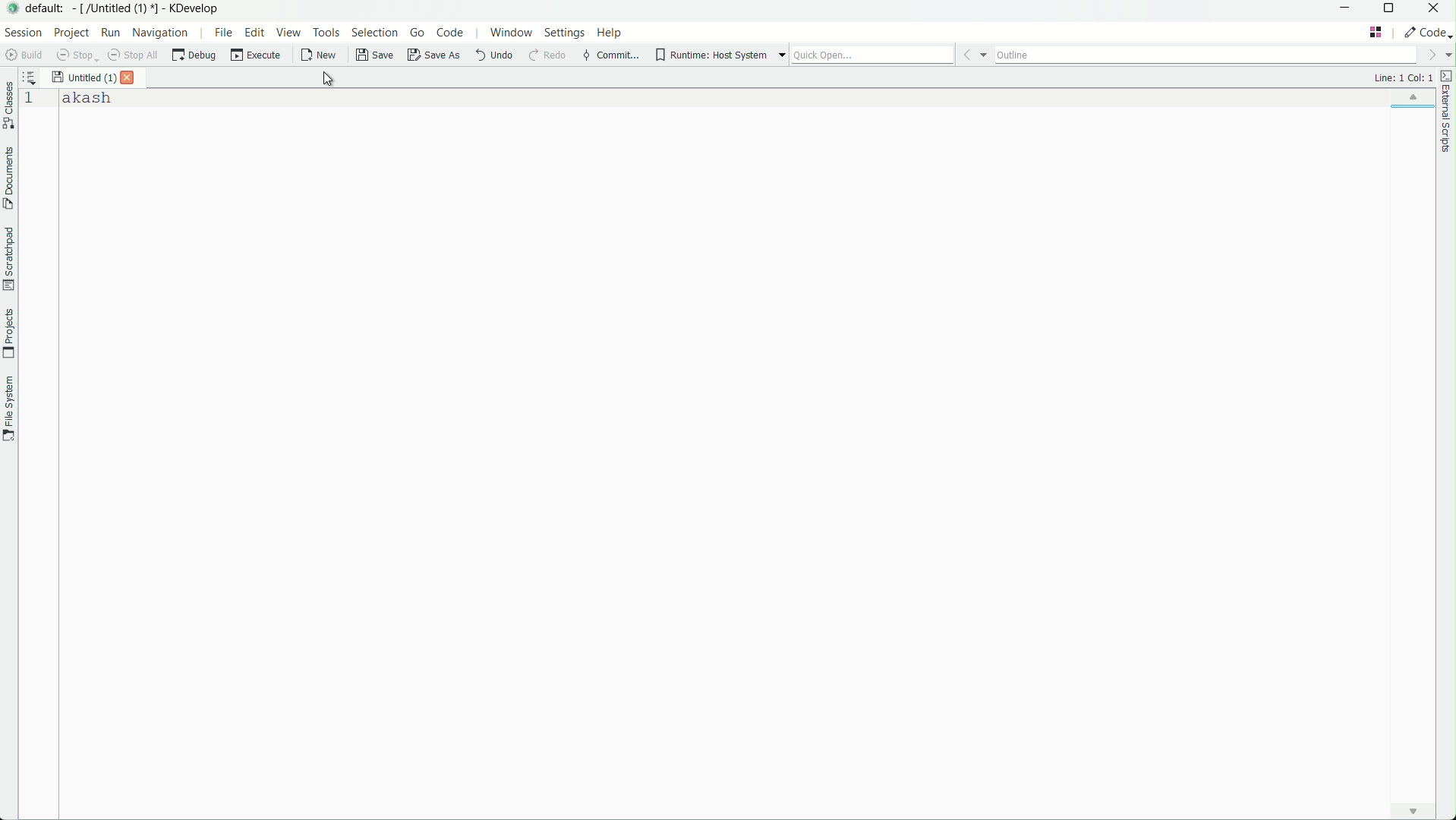 The height and width of the screenshot is (820, 1456). What do you see at coordinates (134, 56) in the screenshot?
I see `stop all` at bounding box center [134, 56].